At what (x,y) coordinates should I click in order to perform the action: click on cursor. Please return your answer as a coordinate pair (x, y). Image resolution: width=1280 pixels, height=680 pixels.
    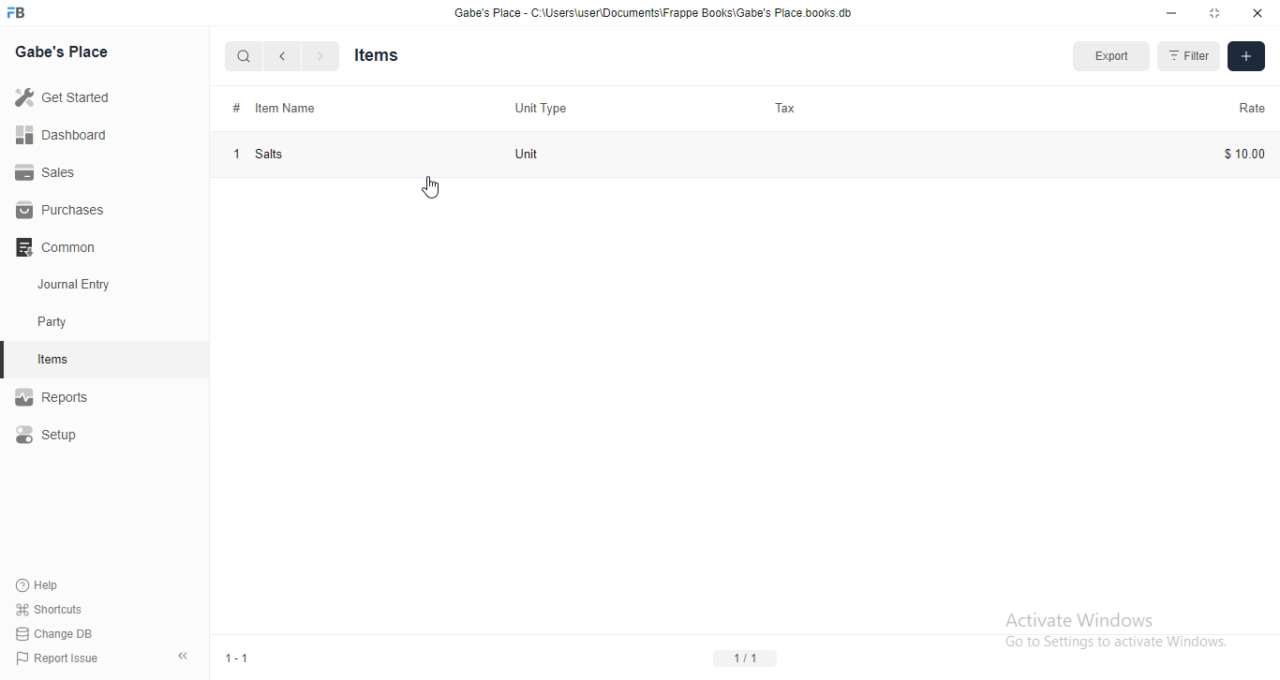
    Looking at the image, I should click on (432, 186).